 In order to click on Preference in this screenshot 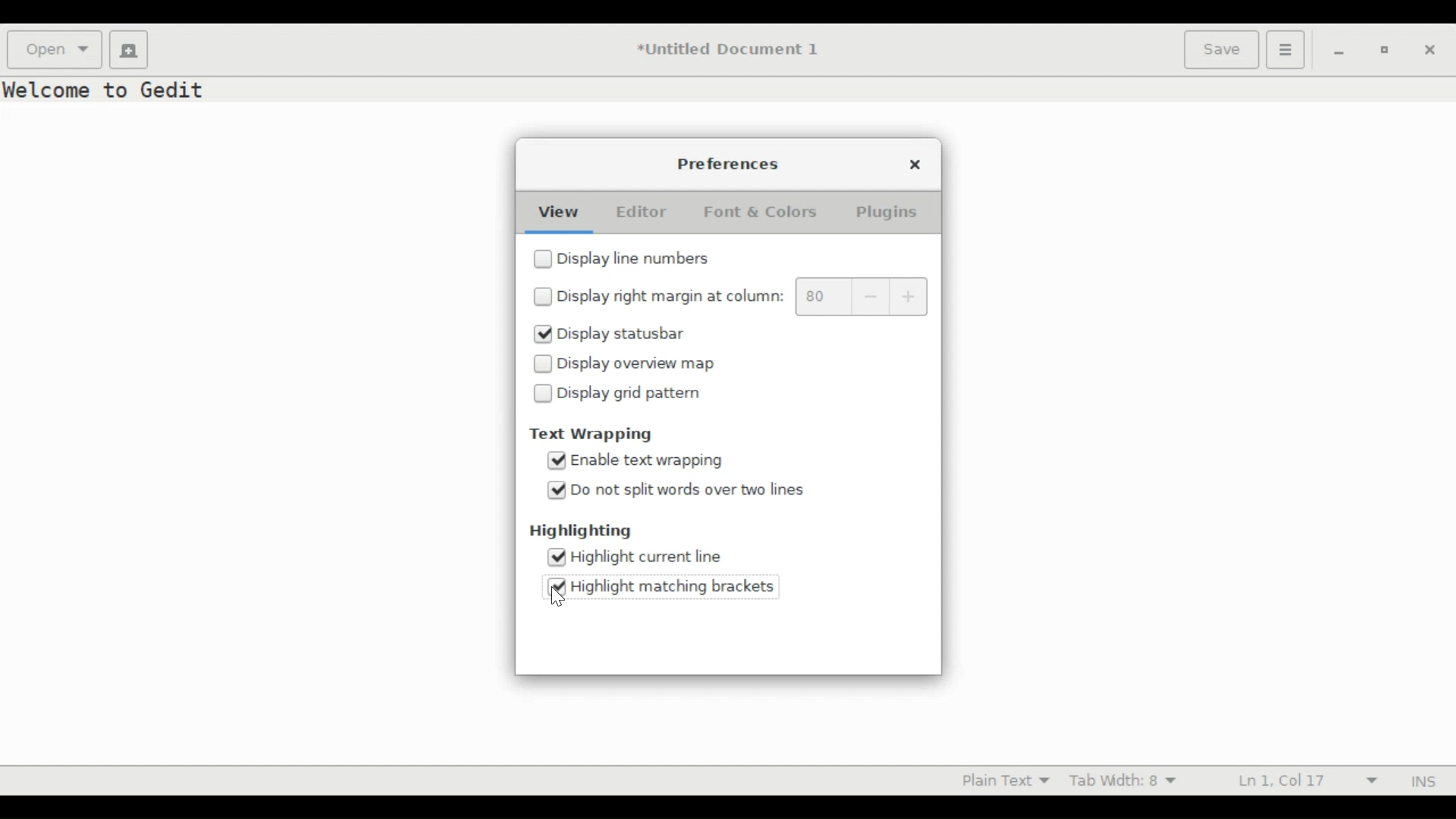, I will do `click(733, 165)`.